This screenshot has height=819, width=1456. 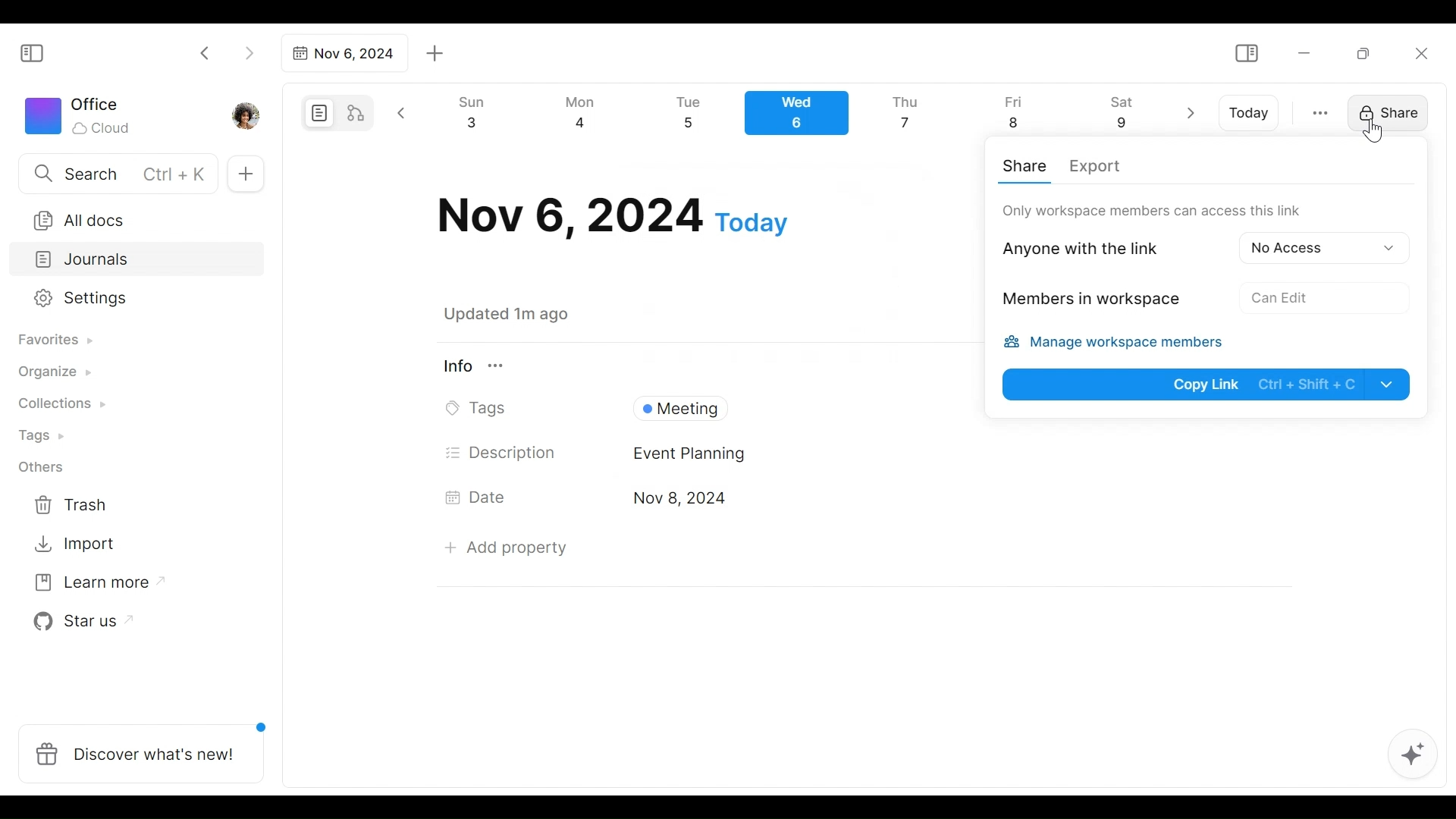 I want to click on Desciption Field, so click(x=959, y=453).